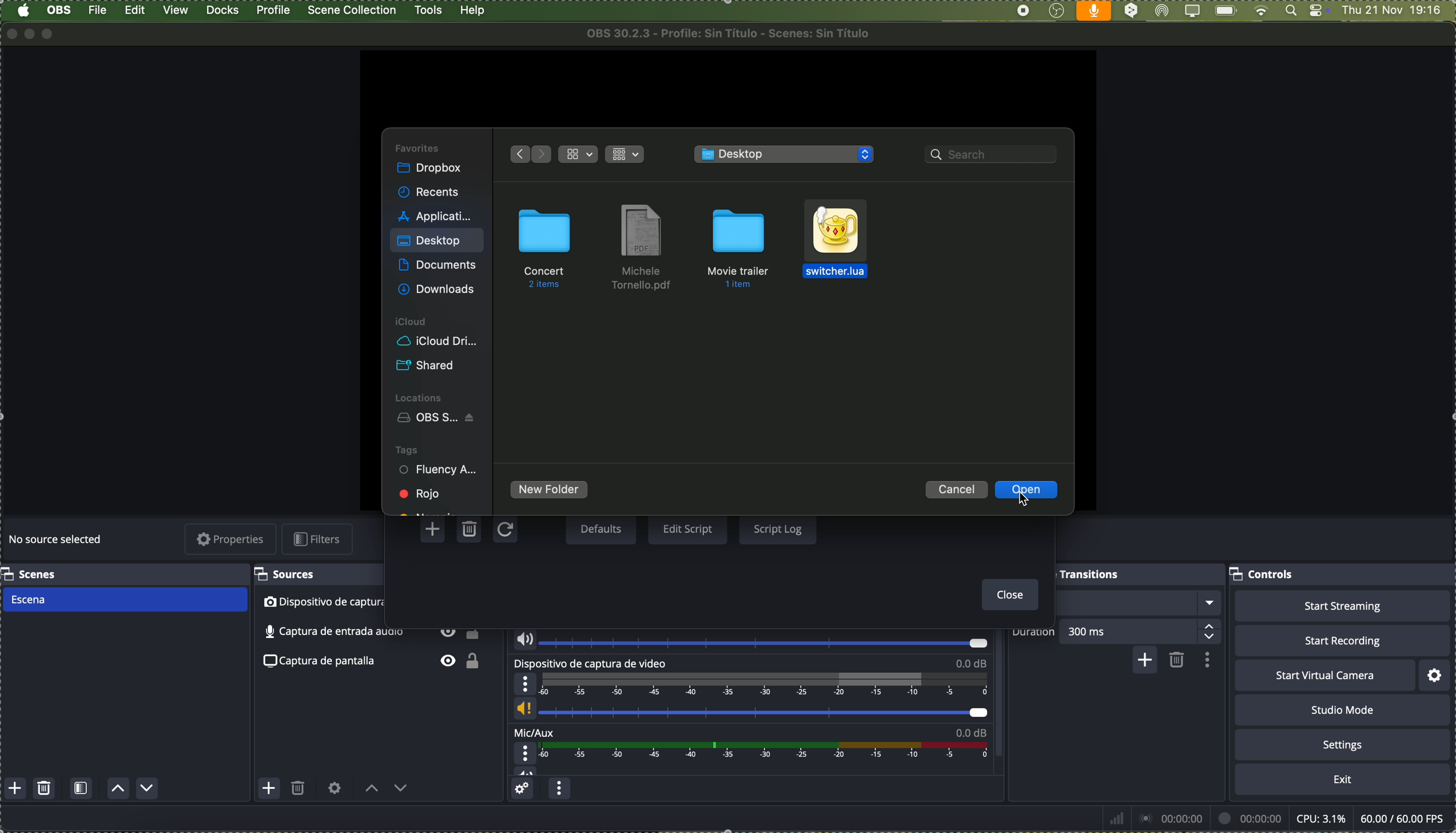 The width and height of the screenshot is (1456, 833). I want to click on battery, so click(1225, 11).